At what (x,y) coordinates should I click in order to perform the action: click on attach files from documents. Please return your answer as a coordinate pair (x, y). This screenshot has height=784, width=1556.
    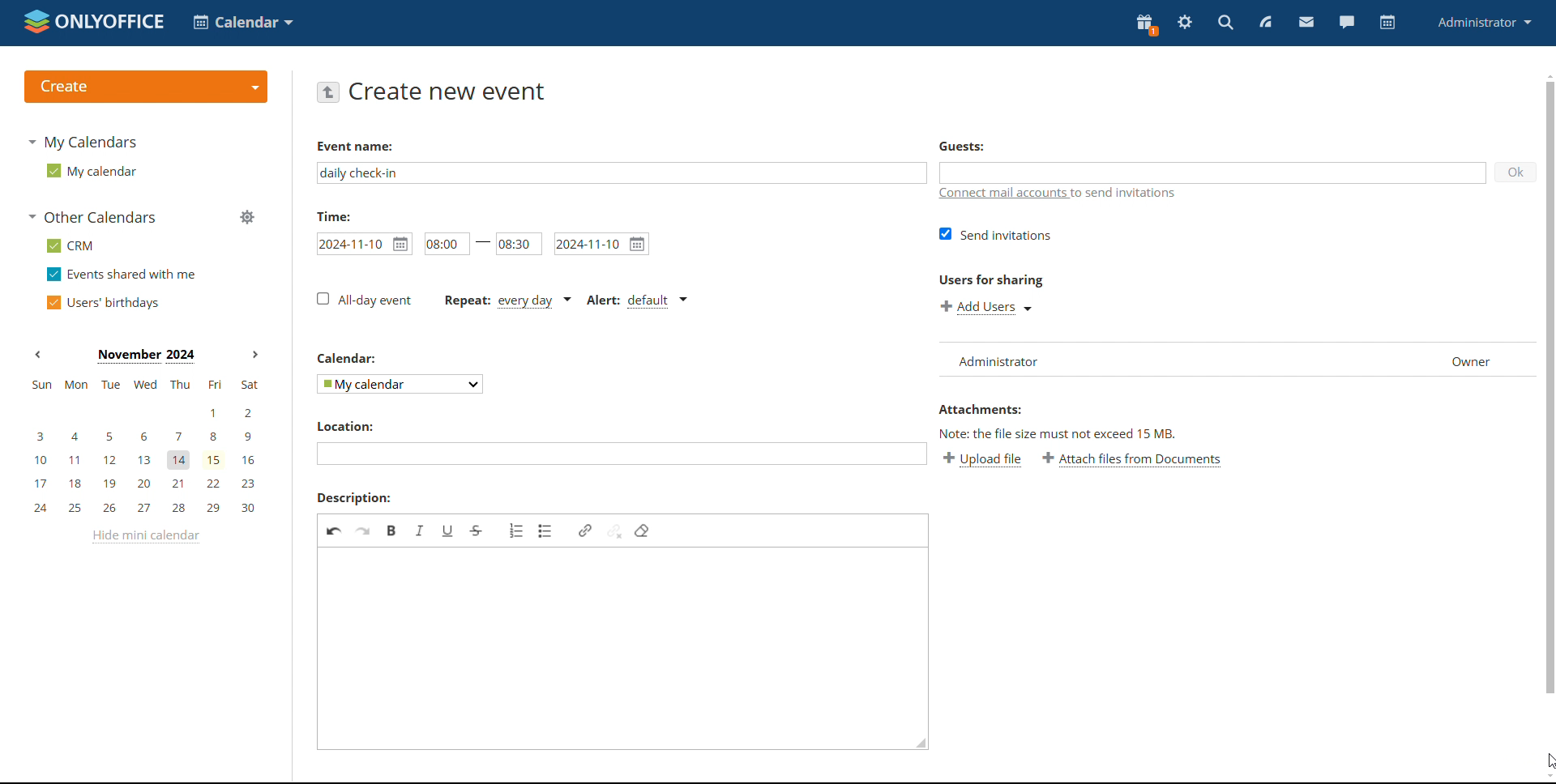
    Looking at the image, I should click on (1135, 460).